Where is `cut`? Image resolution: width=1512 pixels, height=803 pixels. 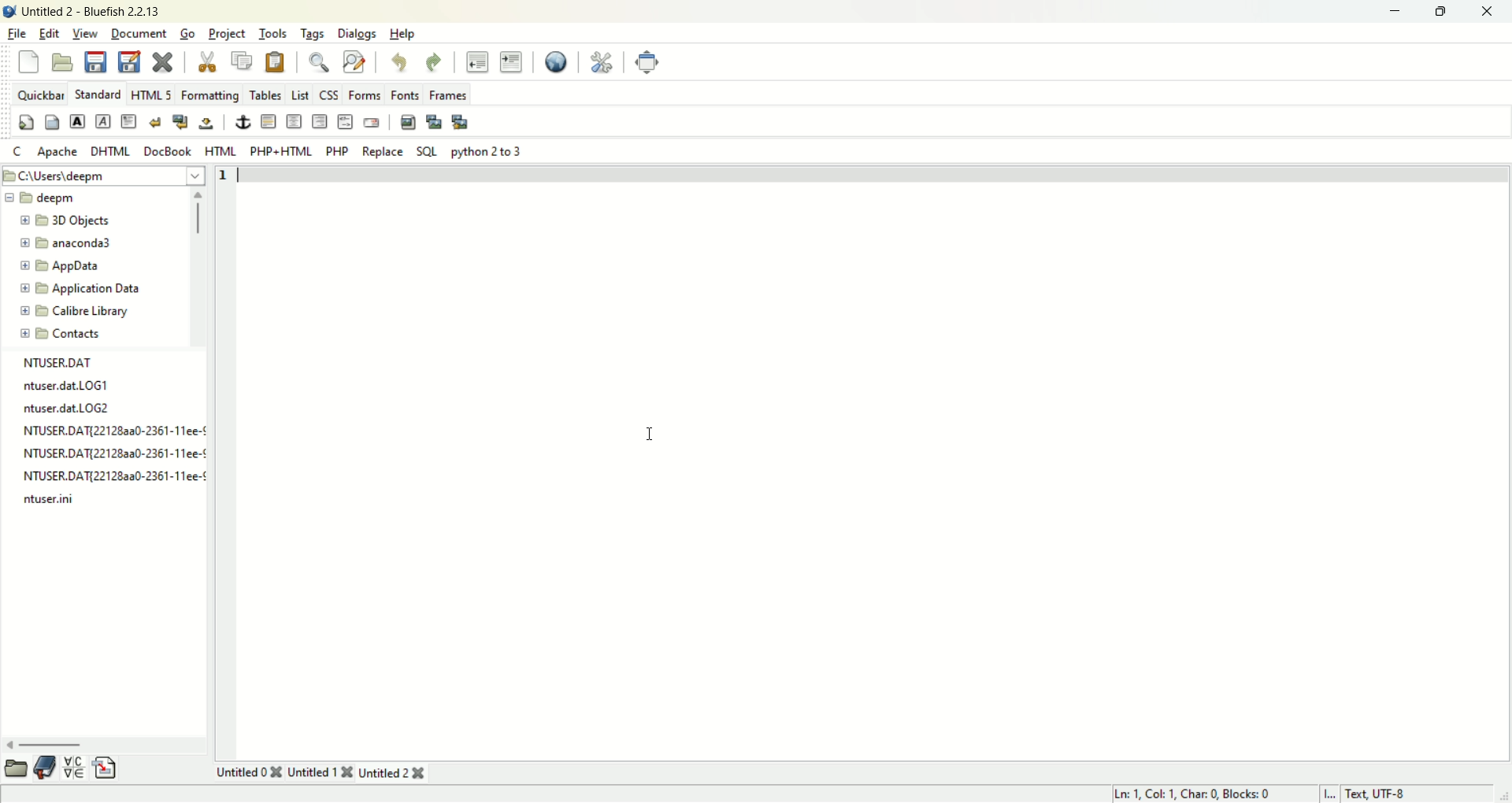 cut is located at coordinates (206, 57).